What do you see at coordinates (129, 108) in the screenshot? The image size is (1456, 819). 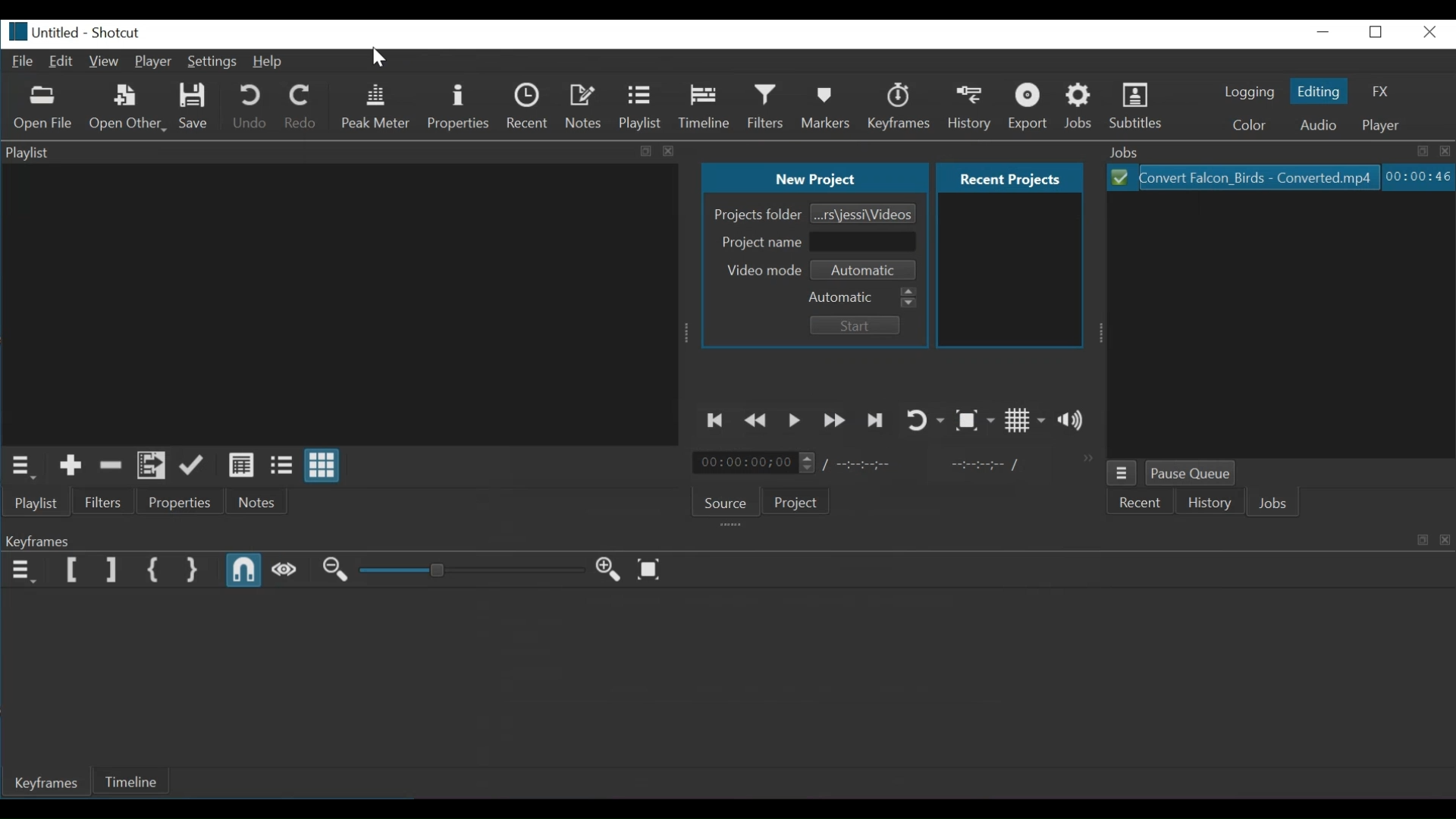 I see `Open Other` at bounding box center [129, 108].